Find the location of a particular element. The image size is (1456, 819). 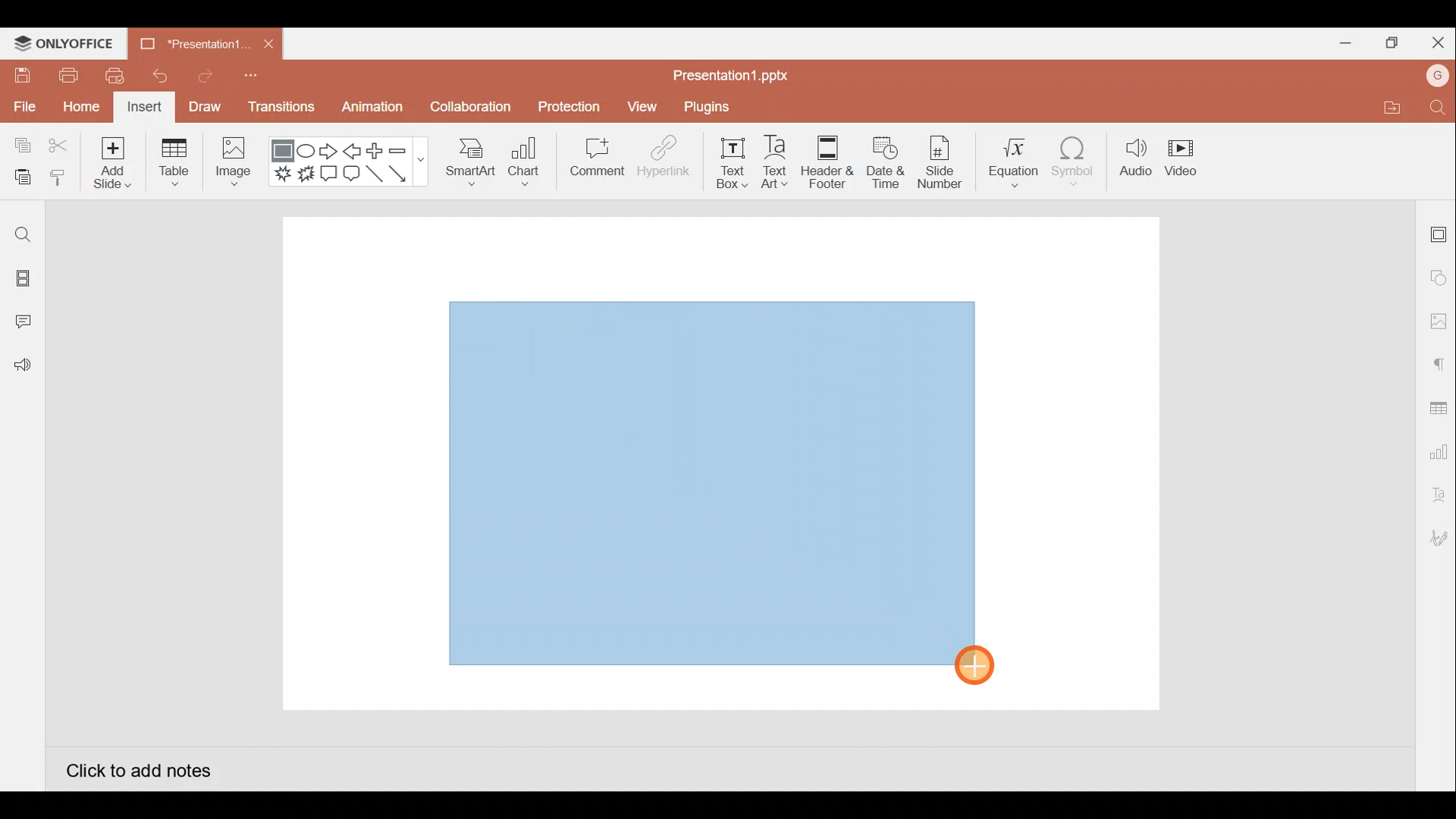

Date & time is located at coordinates (886, 162).